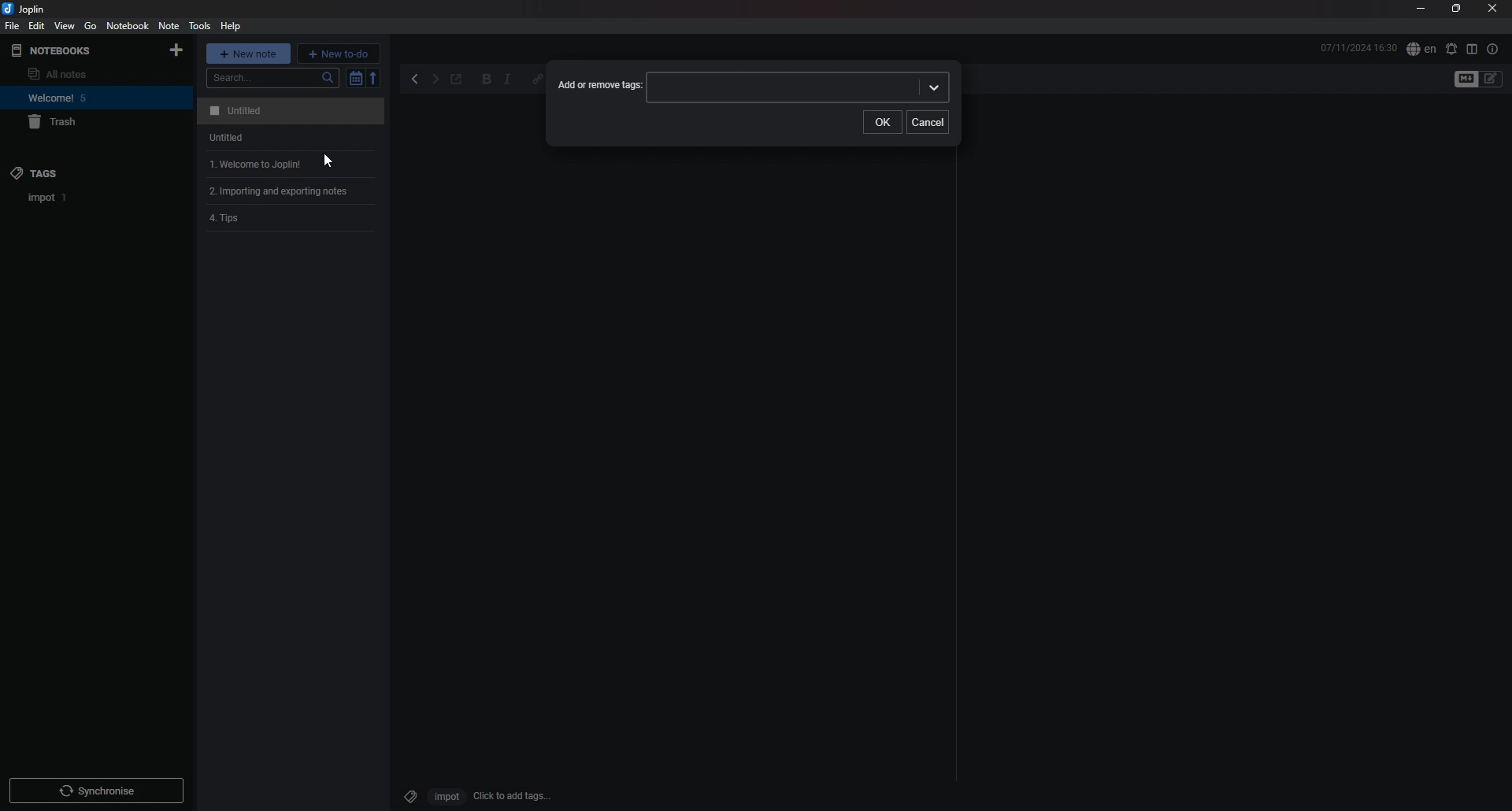 Image resolution: width=1512 pixels, height=811 pixels. I want to click on impot, so click(444, 796).